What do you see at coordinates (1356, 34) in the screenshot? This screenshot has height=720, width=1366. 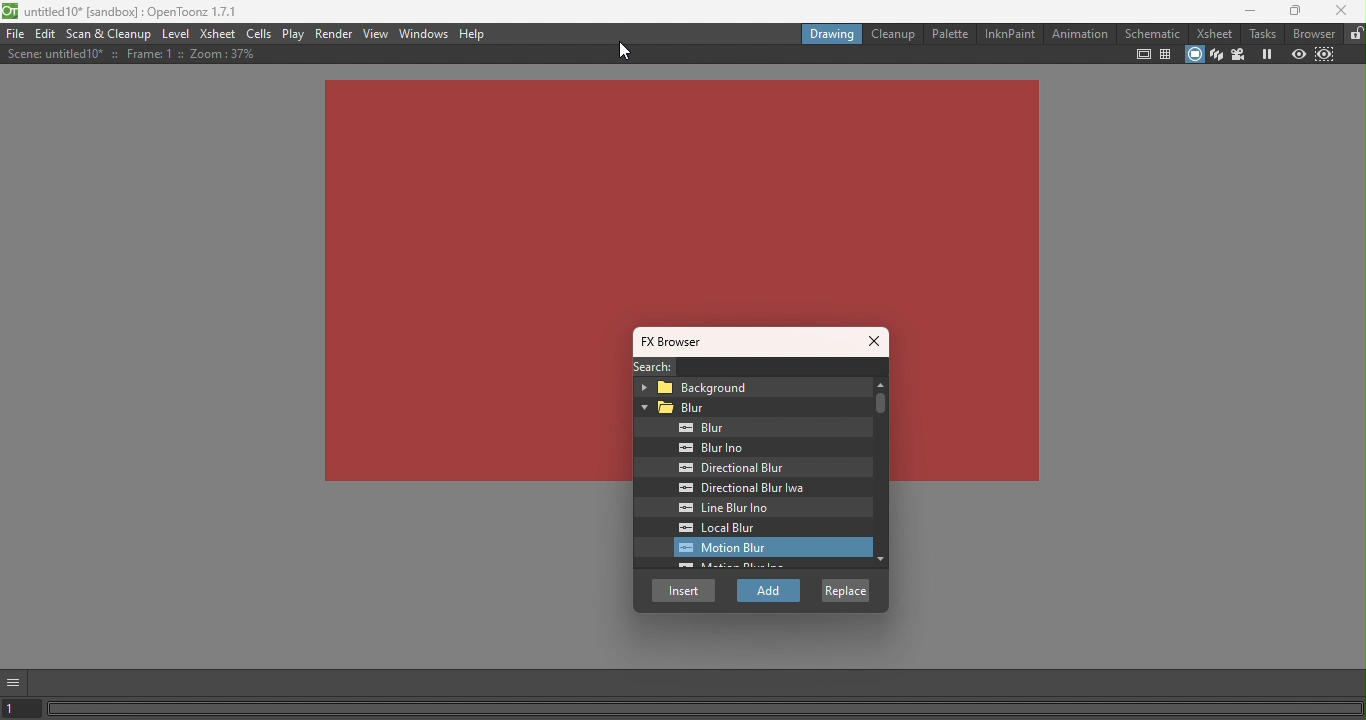 I see `Lock rooms tab` at bounding box center [1356, 34].